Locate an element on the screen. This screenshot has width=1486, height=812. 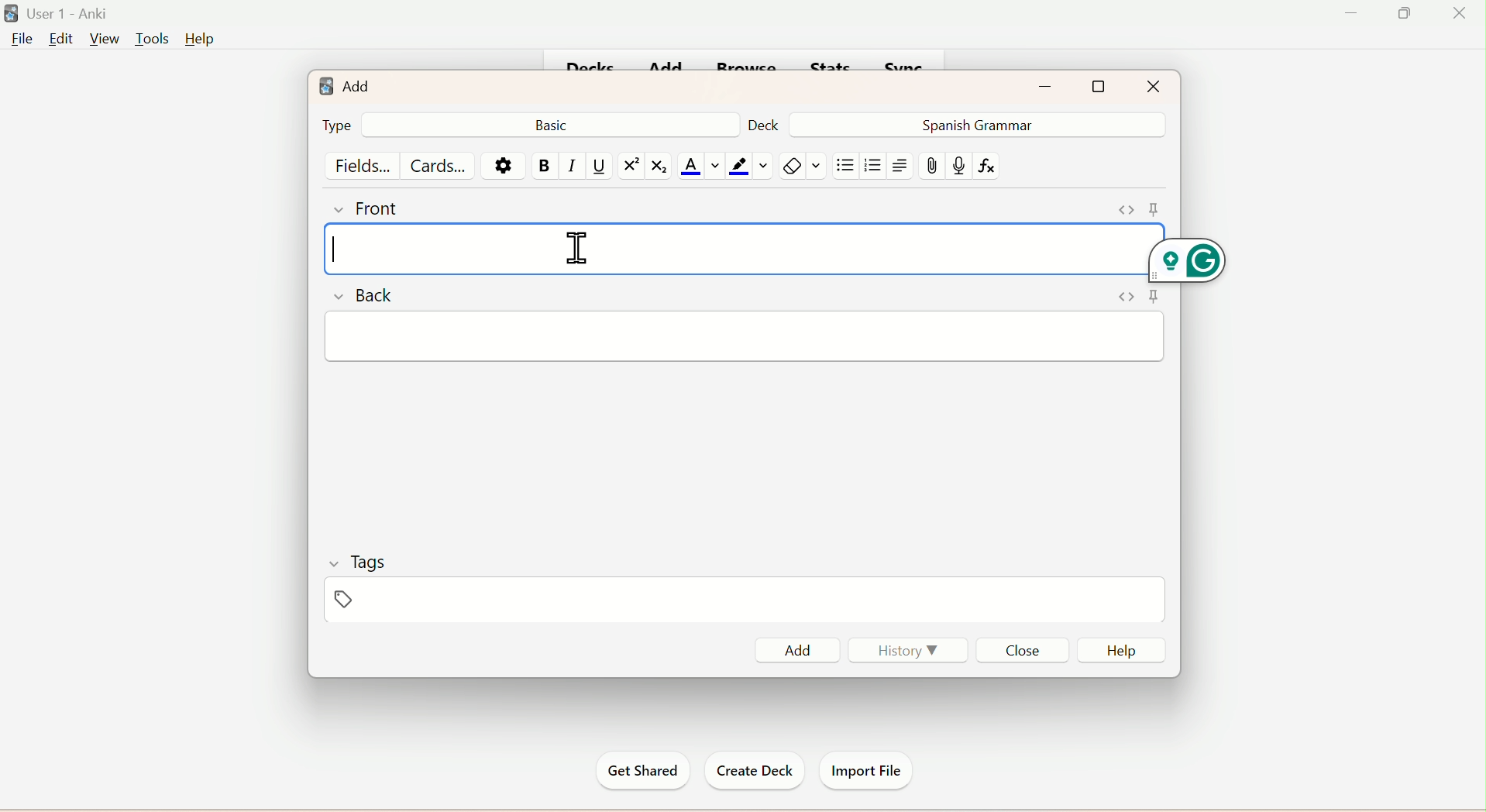
Fields... is located at coordinates (364, 164).